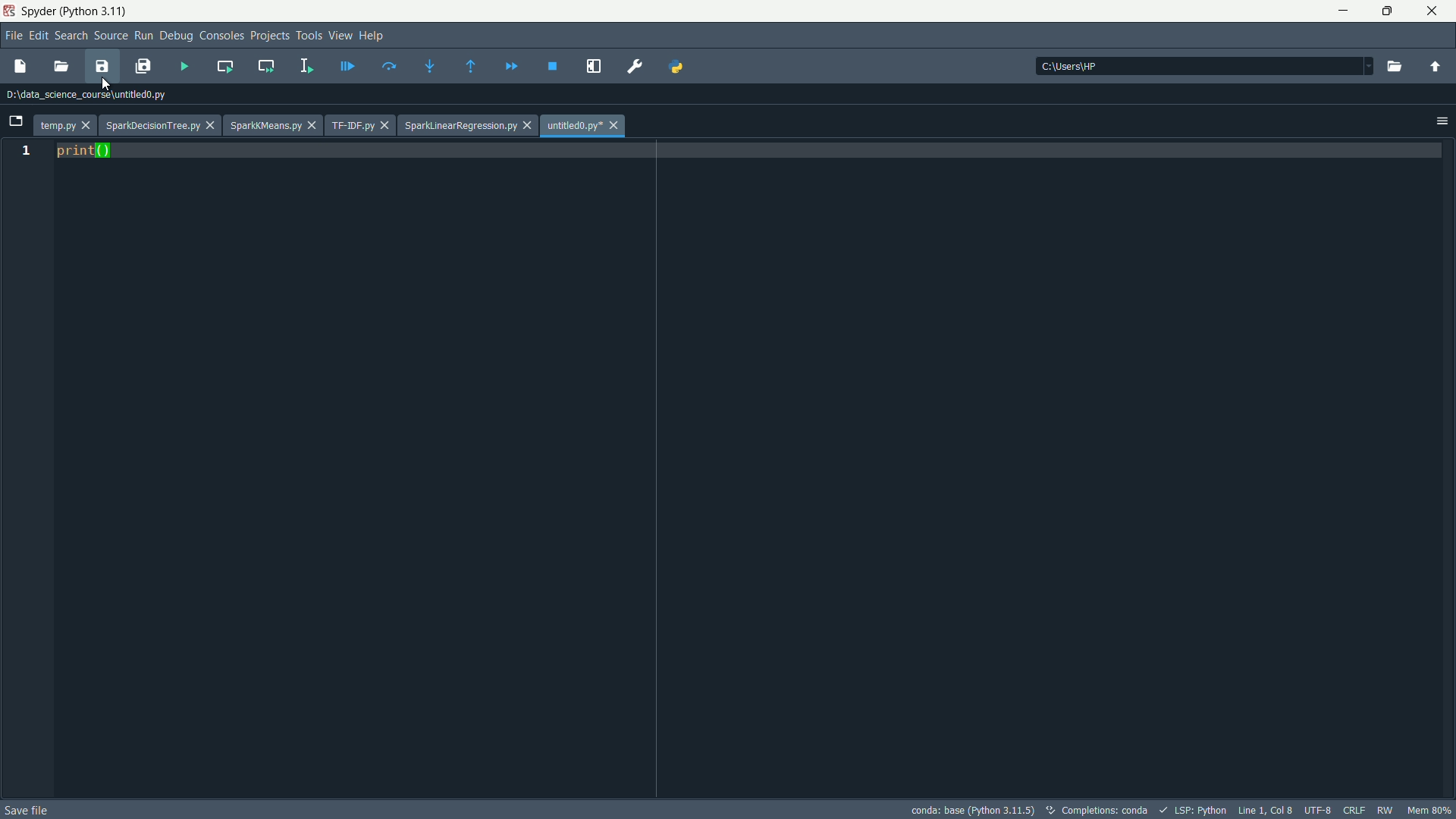 The width and height of the screenshot is (1456, 819). I want to click on Projects, so click(269, 37).